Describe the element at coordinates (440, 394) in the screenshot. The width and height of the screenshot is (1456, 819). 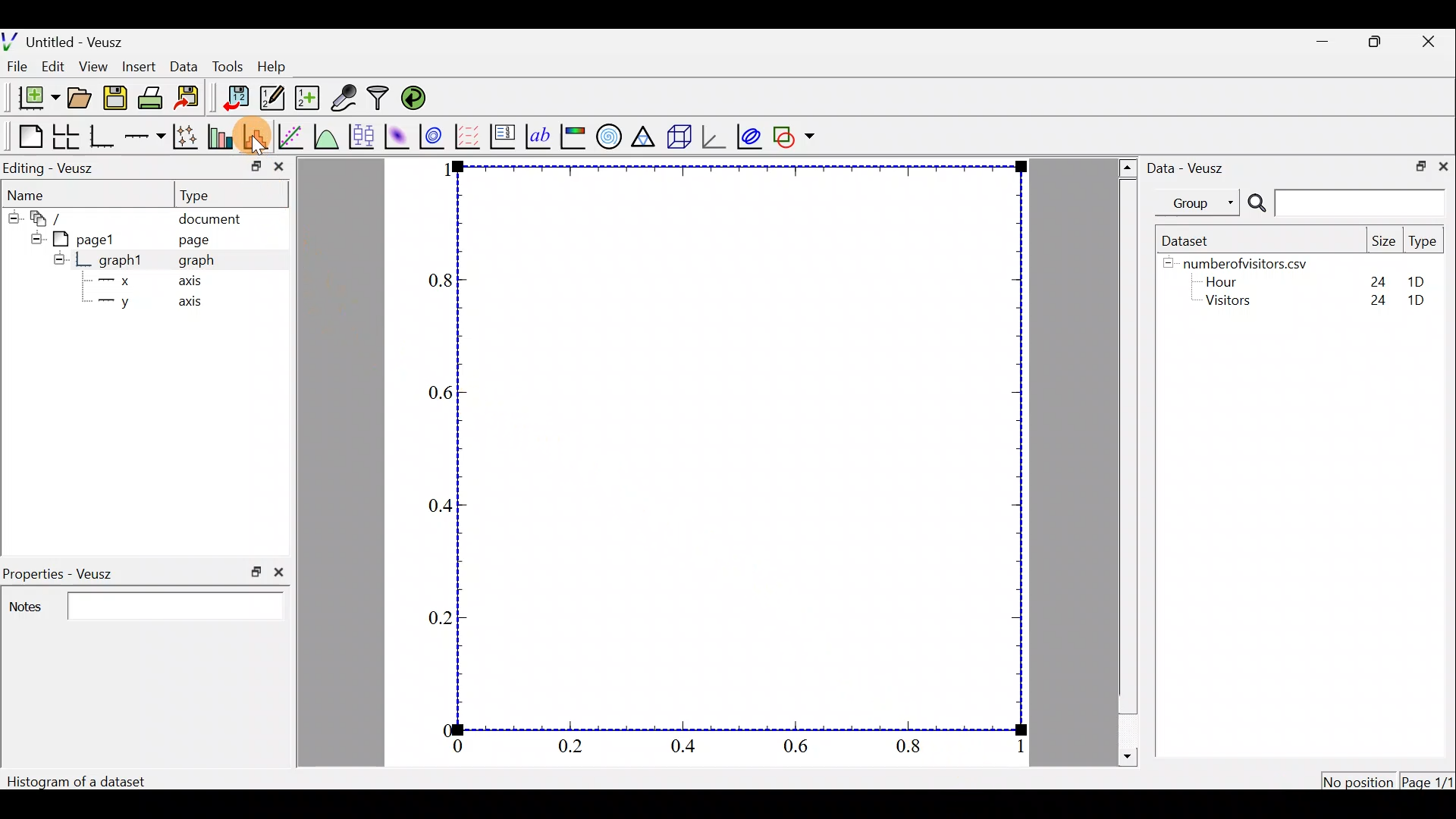
I see `0.6` at that location.